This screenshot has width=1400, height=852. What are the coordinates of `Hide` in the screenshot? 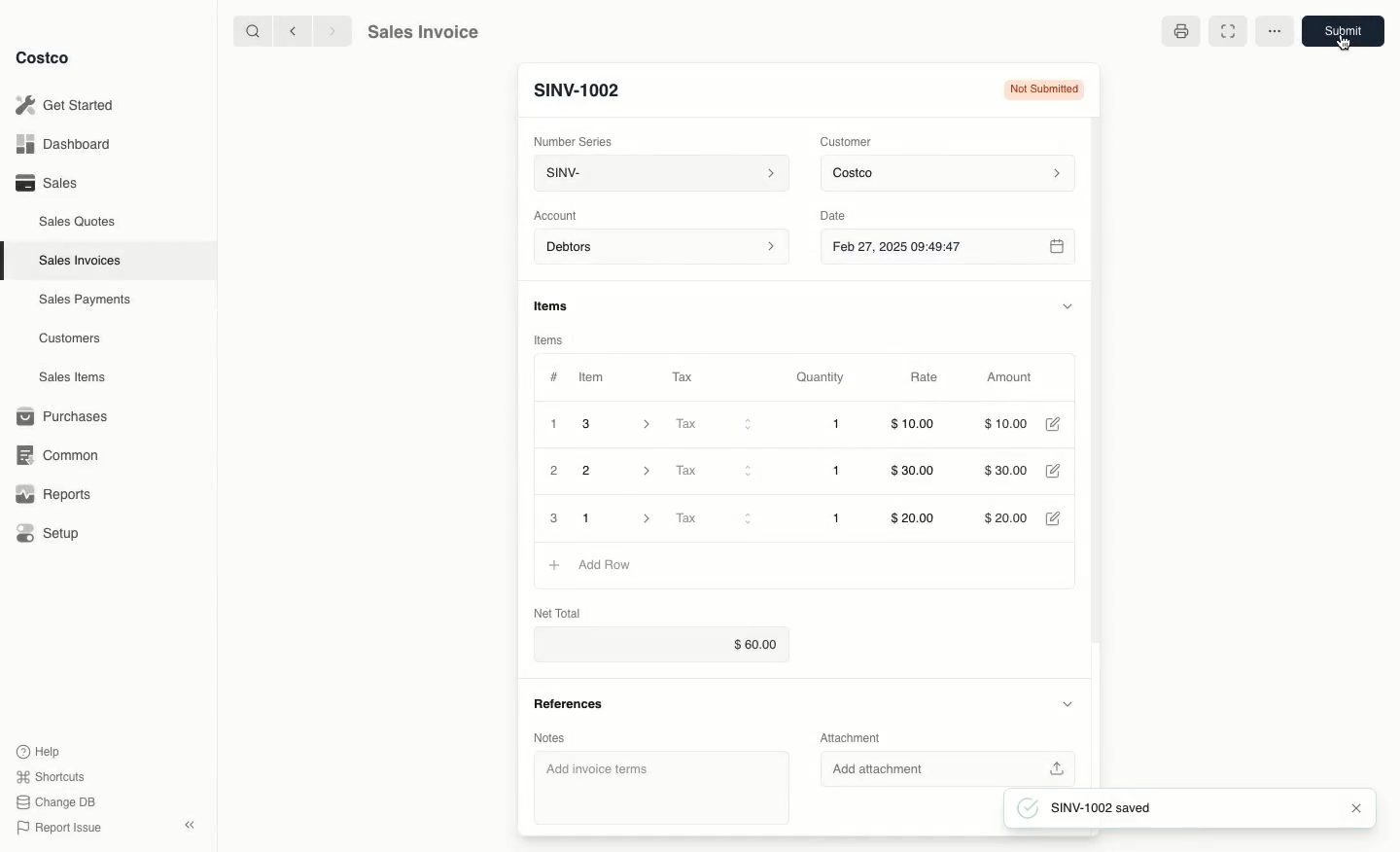 It's located at (1067, 303).